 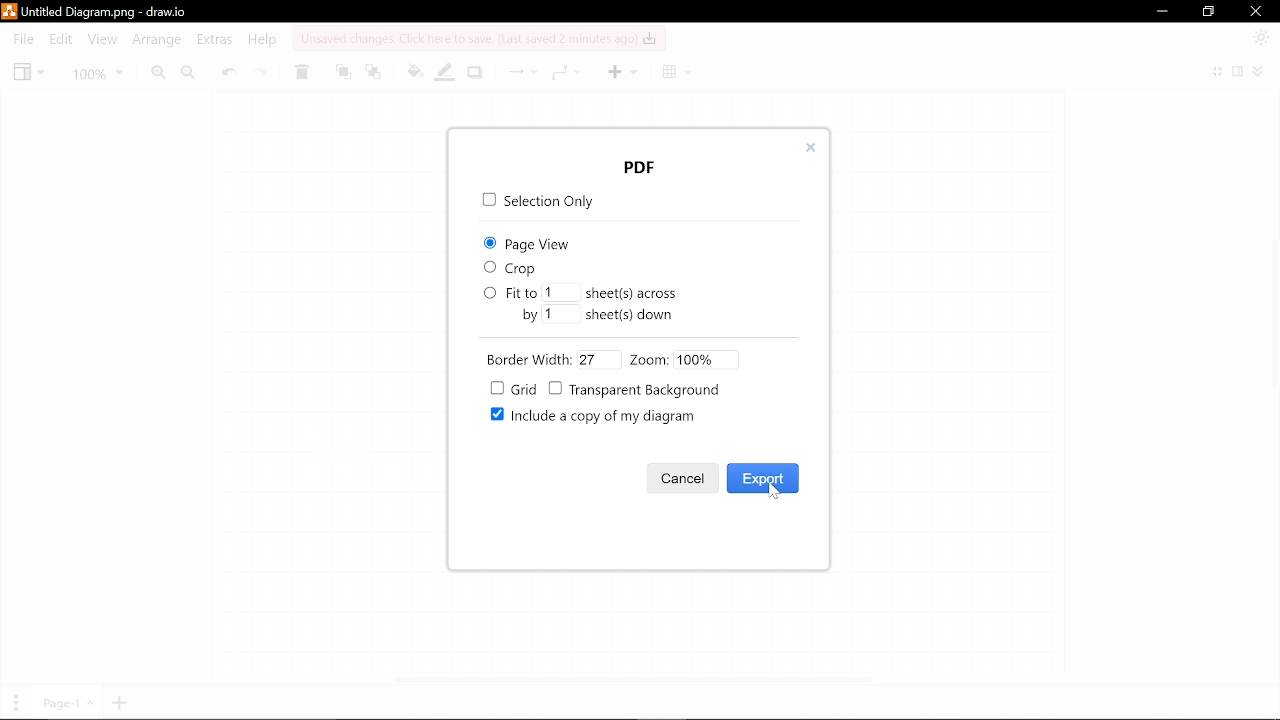 I want to click on Crop, so click(x=513, y=268).